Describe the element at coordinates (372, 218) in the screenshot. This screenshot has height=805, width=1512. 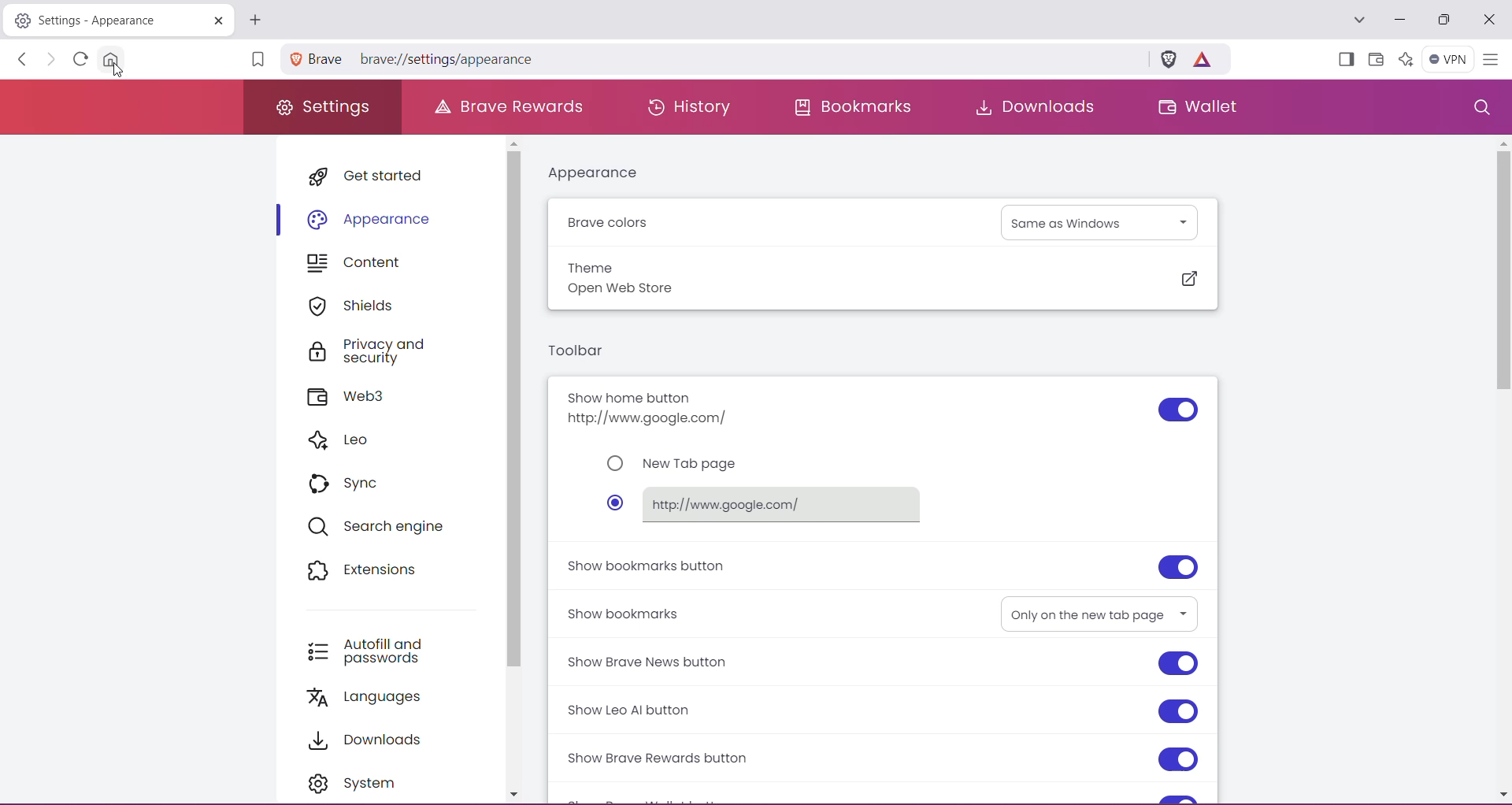
I see `Appearance` at that location.